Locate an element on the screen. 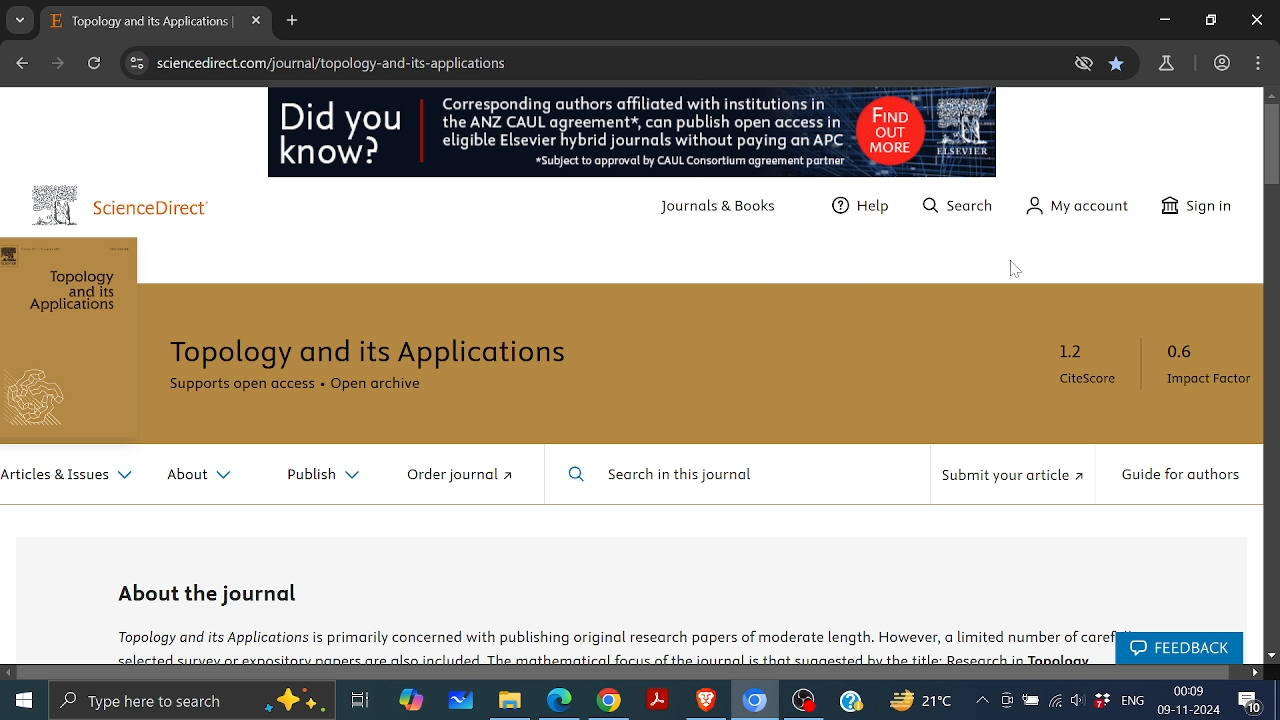 This screenshot has width=1280, height=720. Journals & Books is located at coordinates (725, 210).